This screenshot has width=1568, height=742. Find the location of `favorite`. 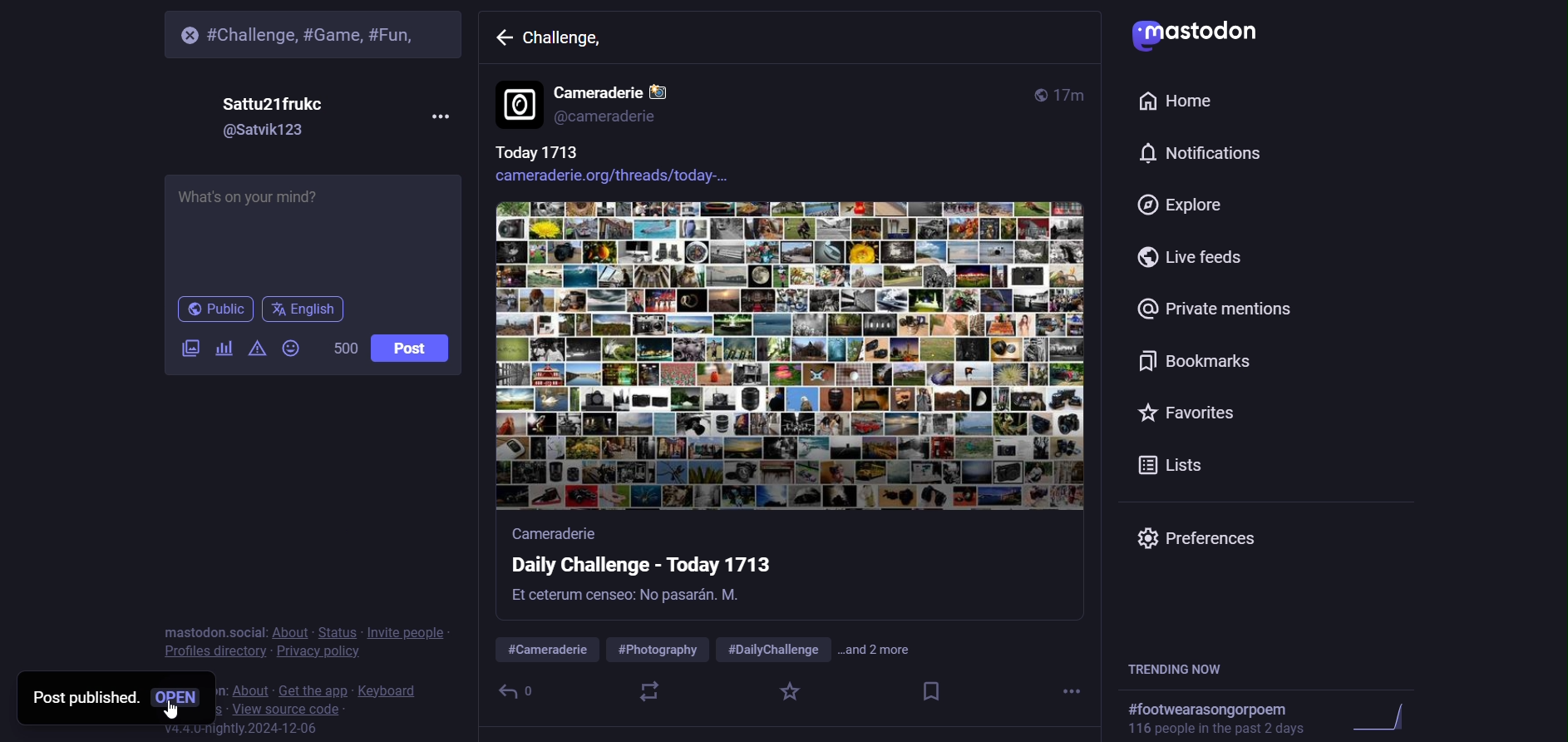

favorite is located at coordinates (789, 693).